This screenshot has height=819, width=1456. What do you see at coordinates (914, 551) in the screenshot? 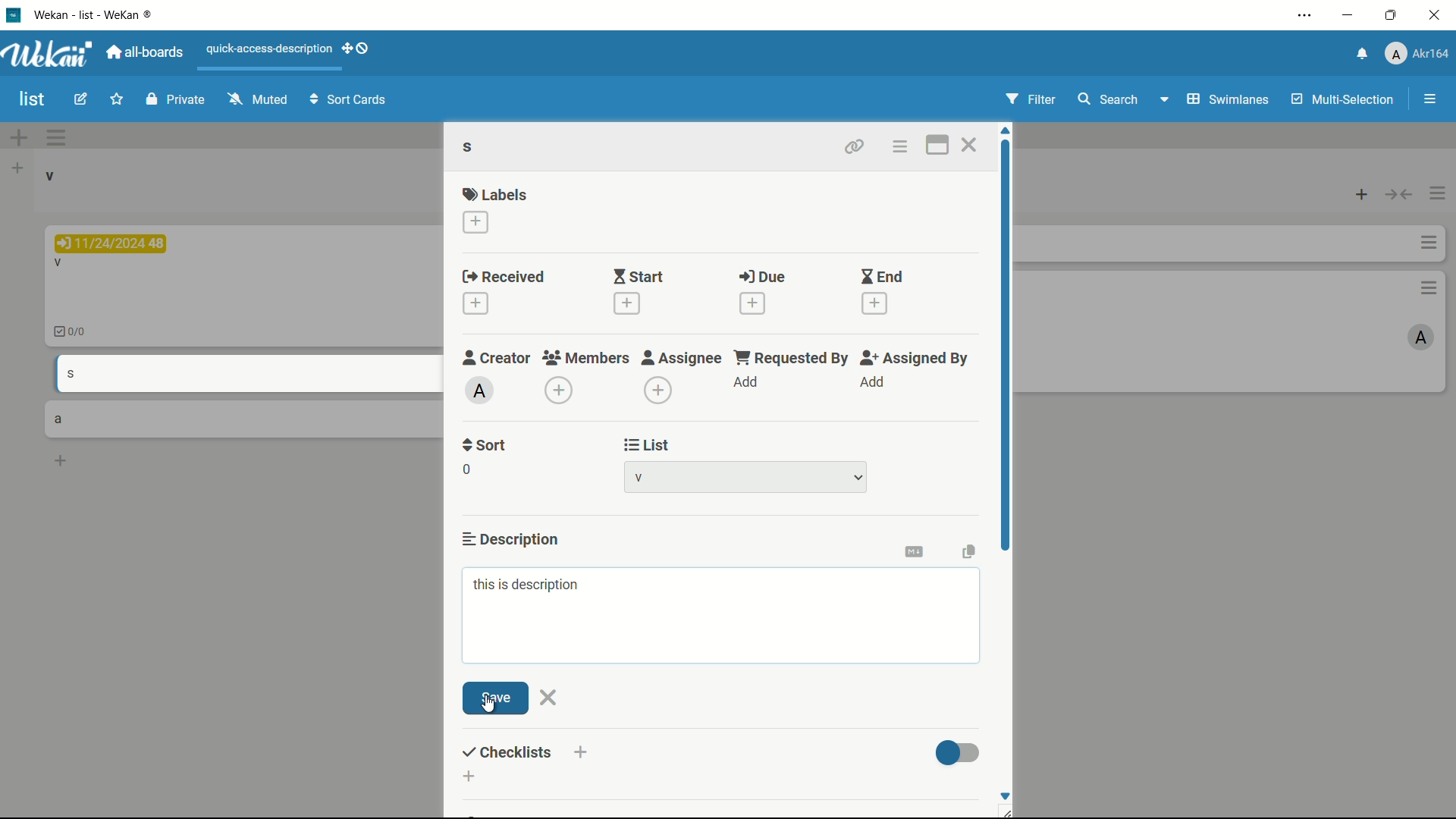
I see `convert to markdown` at bounding box center [914, 551].